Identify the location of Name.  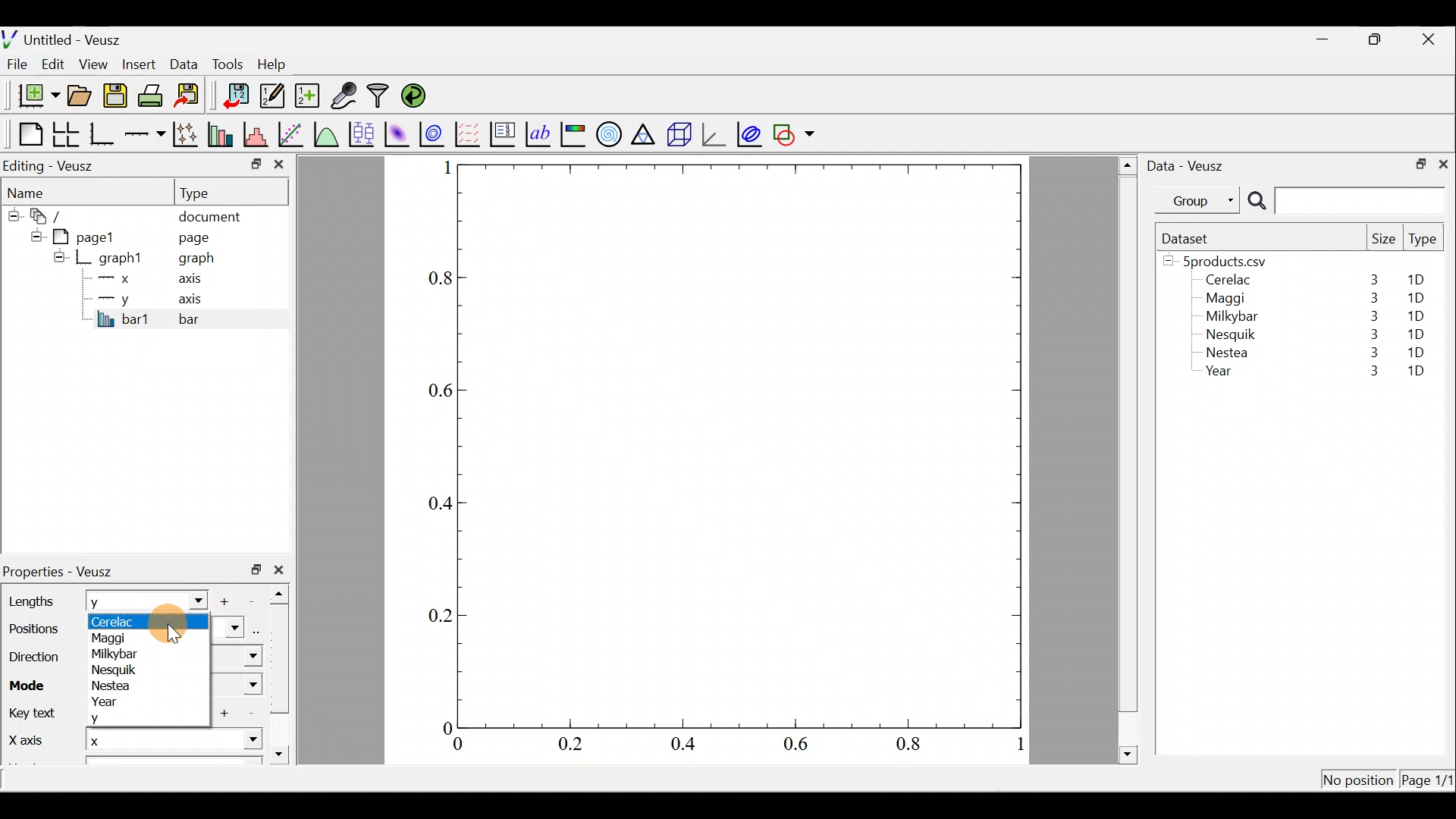
(35, 191).